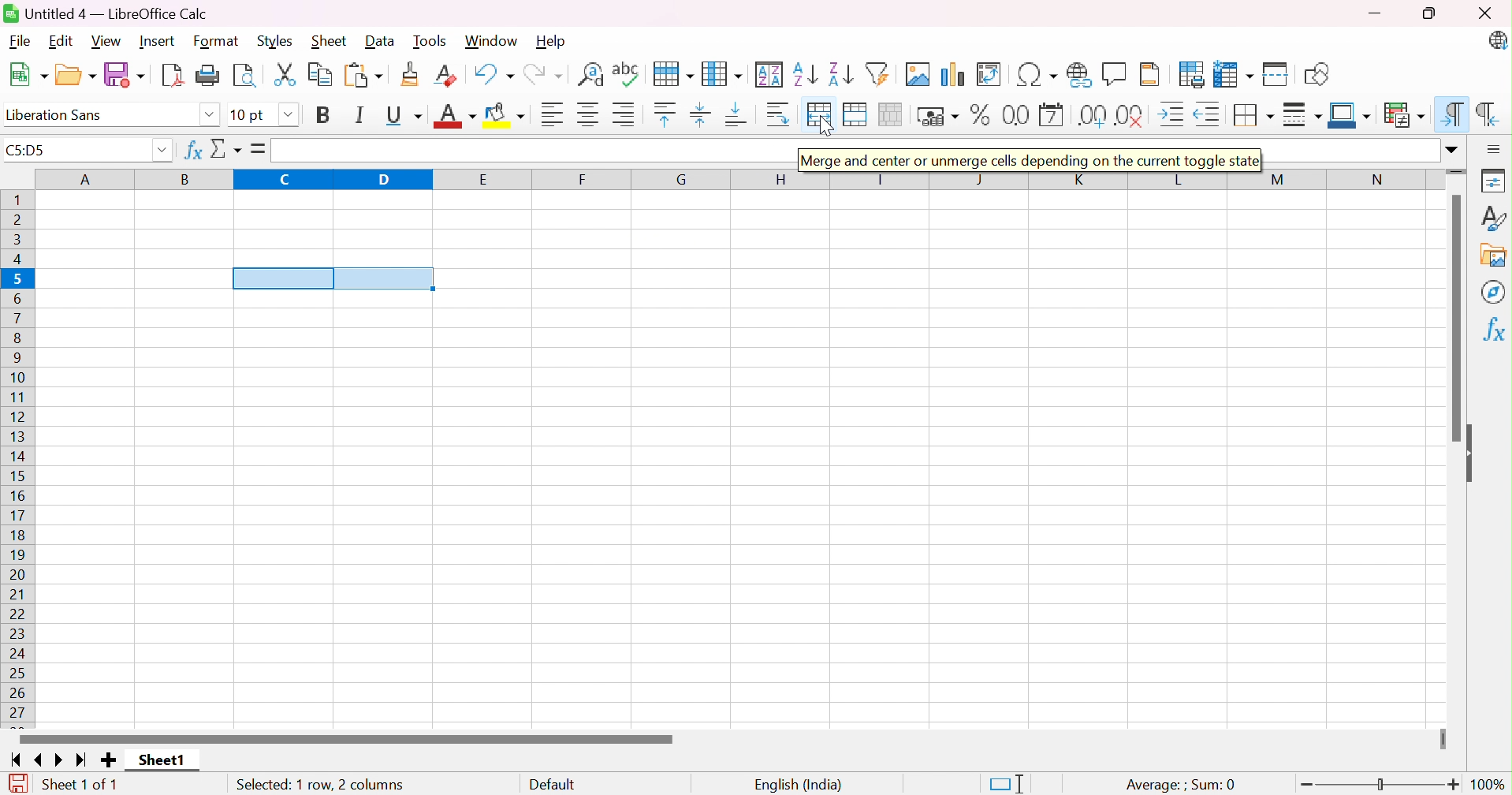 Image resolution: width=1512 pixels, height=795 pixels. Describe the element at coordinates (1191, 74) in the screenshot. I see `Define Print Area` at that location.